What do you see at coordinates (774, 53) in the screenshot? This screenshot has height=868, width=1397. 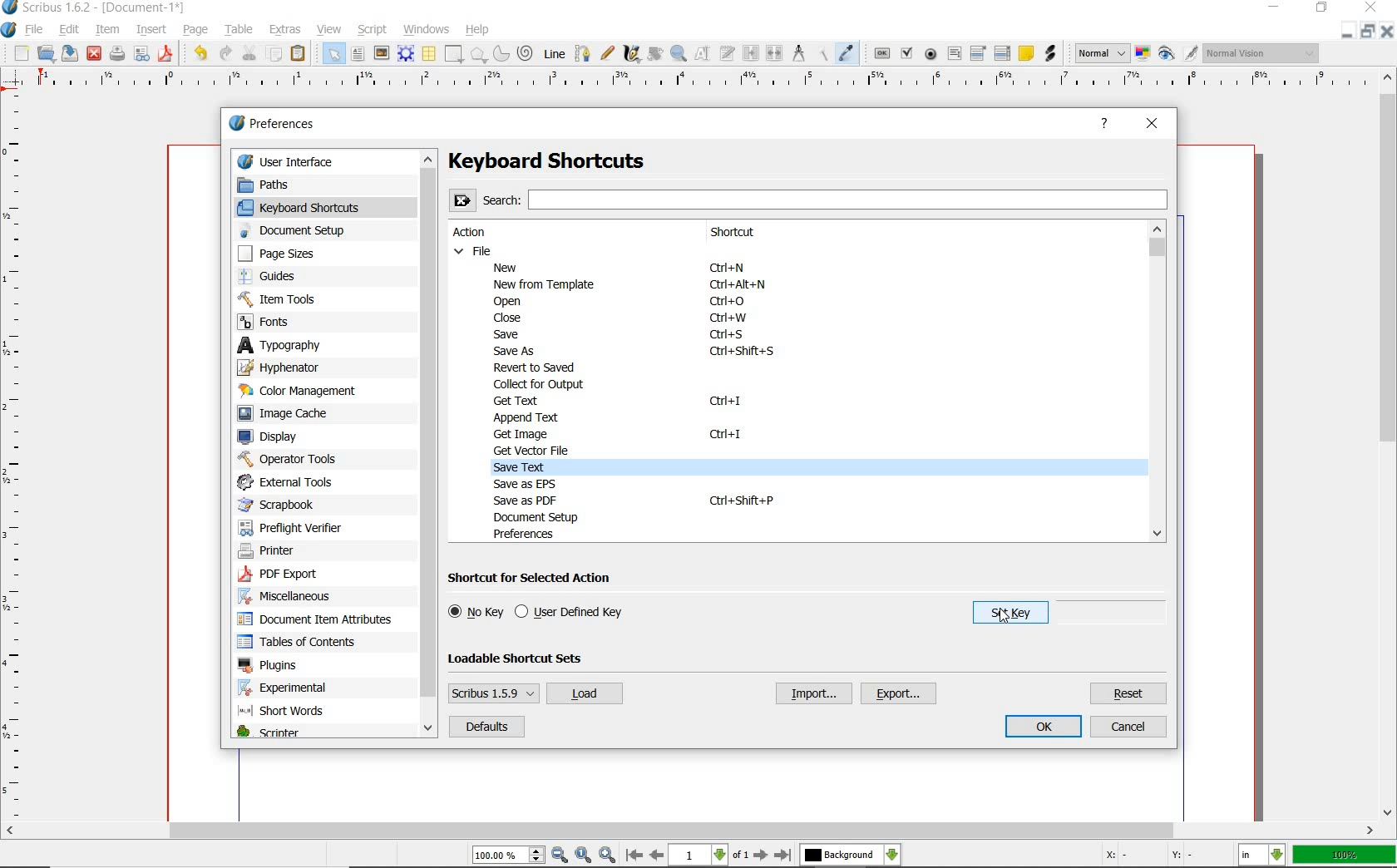 I see `unlink text frames` at bounding box center [774, 53].